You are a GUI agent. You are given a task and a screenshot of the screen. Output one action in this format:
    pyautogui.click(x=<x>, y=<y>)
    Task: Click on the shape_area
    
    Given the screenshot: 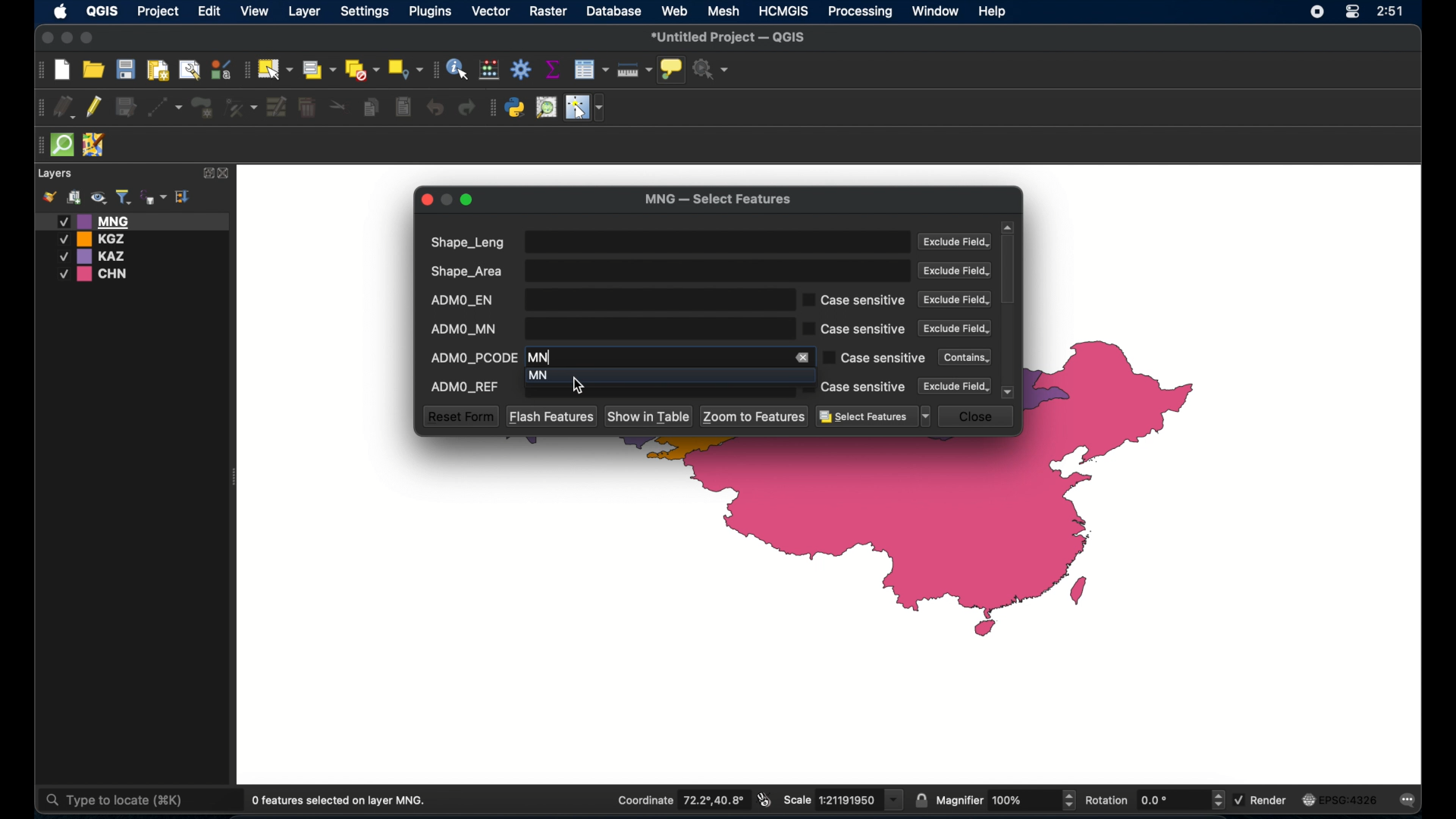 What is the action you would take?
    pyautogui.click(x=668, y=271)
    